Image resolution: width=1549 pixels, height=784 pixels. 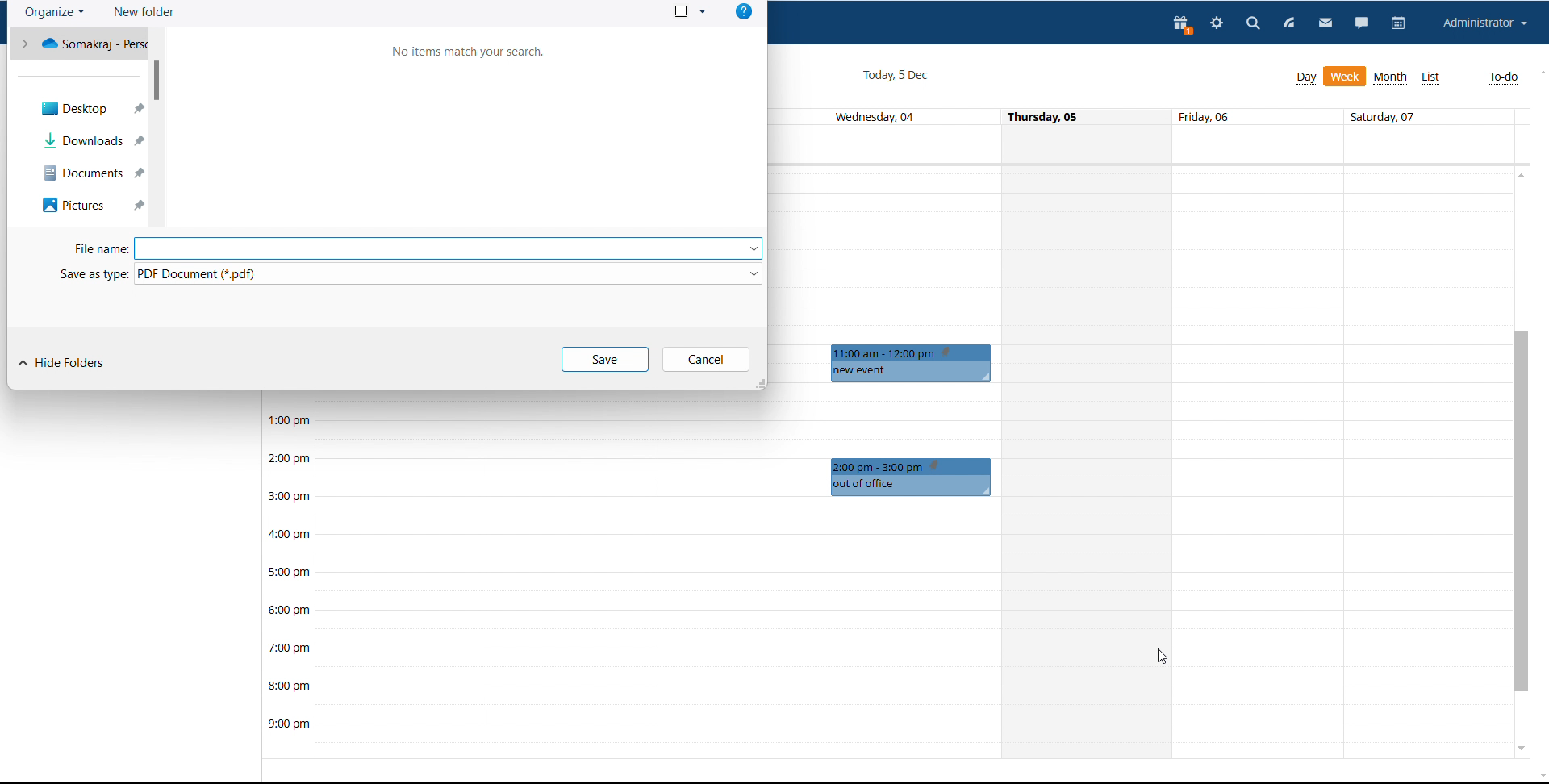 I want to click on scroll up, so click(x=1519, y=177).